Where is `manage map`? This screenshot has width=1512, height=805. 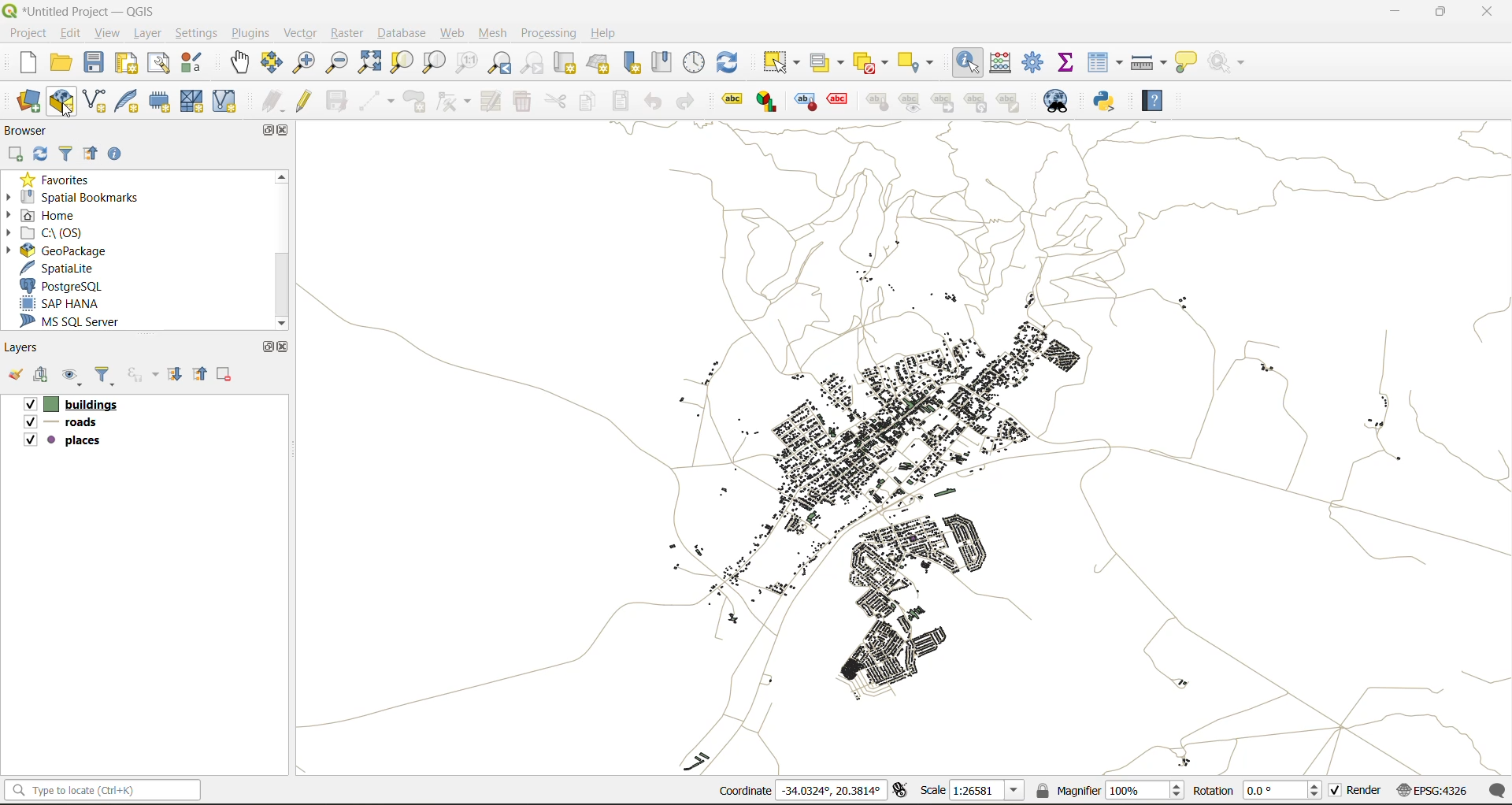
manage map is located at coordinates (74, 378).